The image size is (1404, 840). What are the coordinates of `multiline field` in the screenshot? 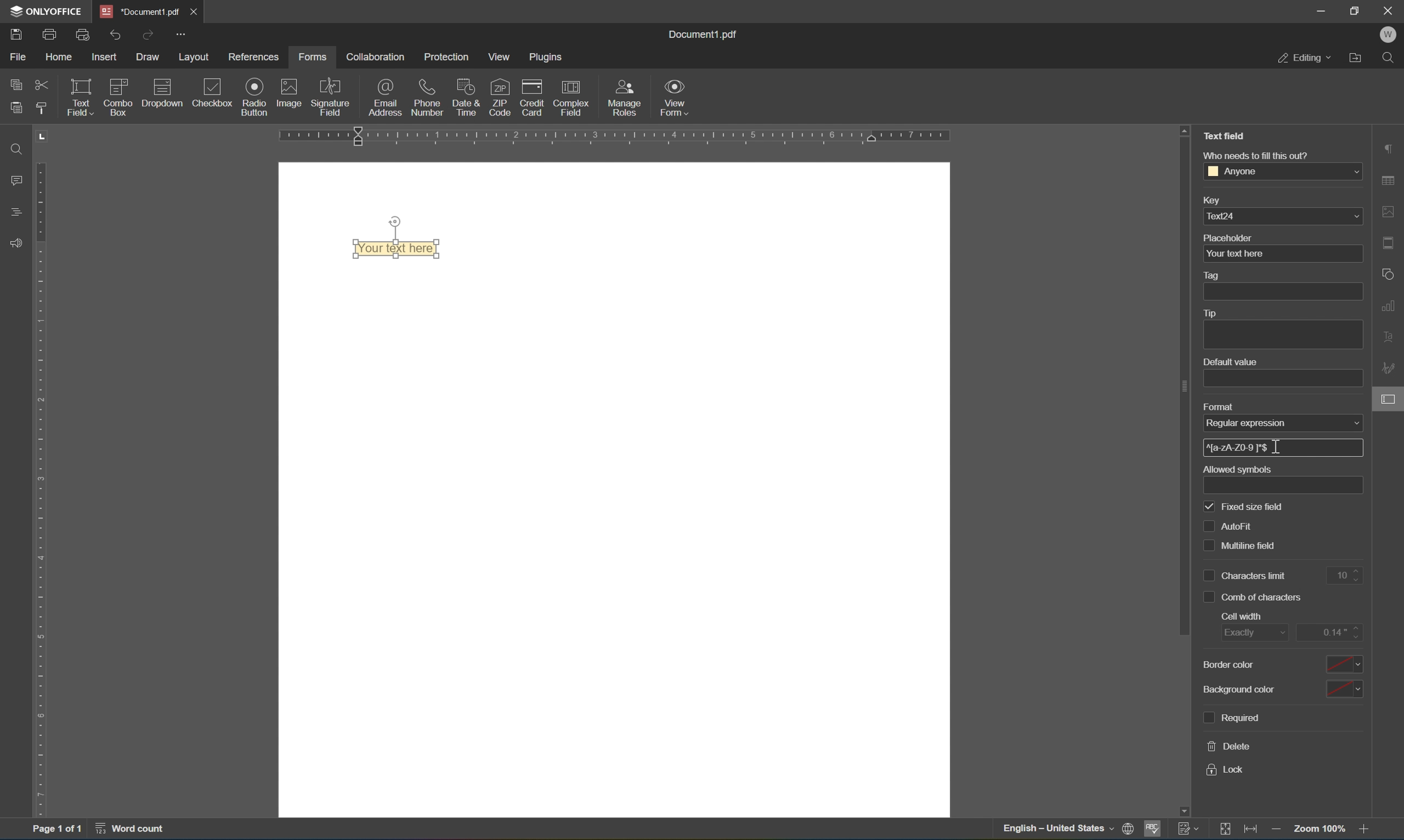 It's located at (1241, 547).